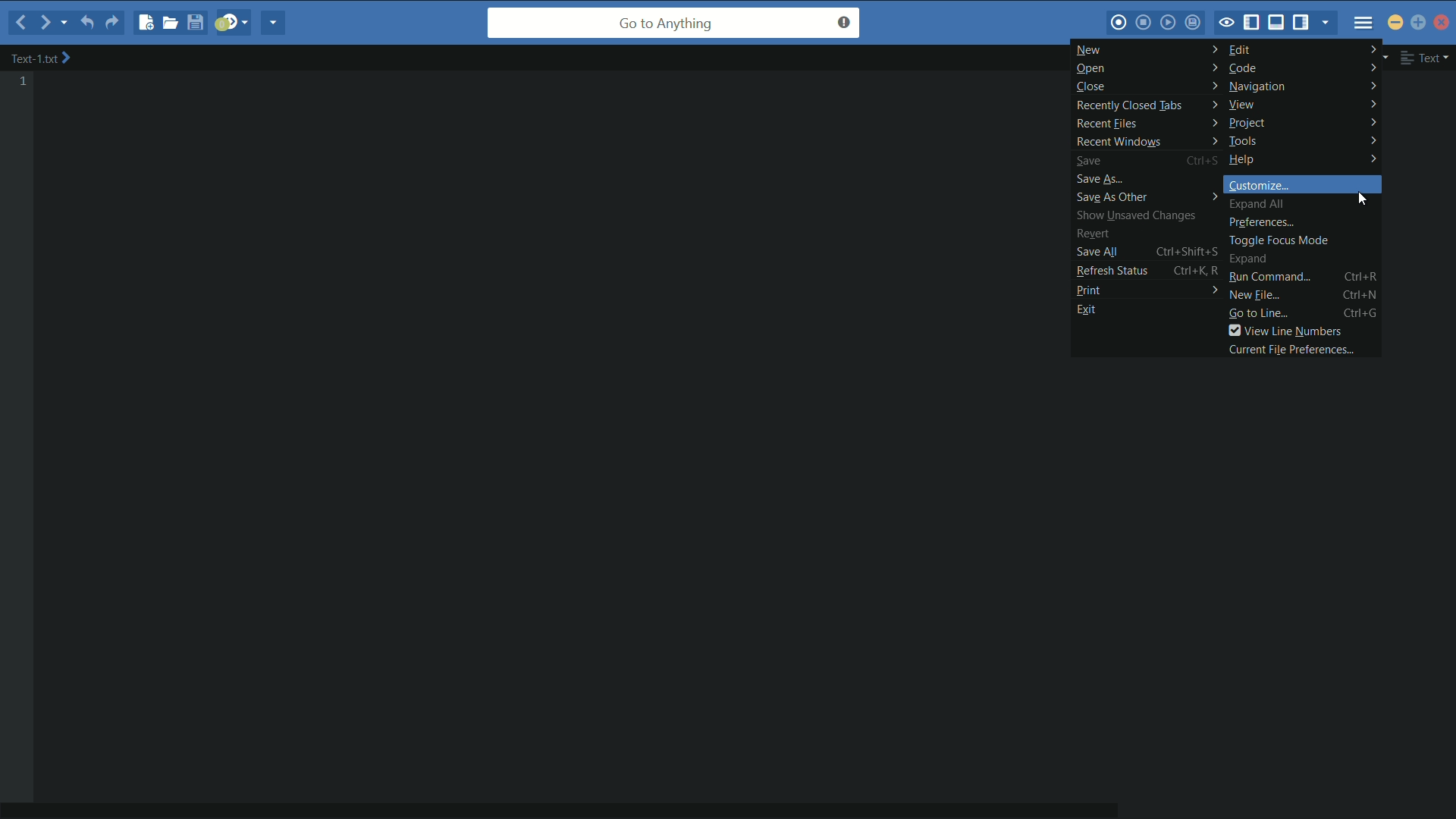 This screenshot has width=1456, height=819. I want to click on open file, so click(169, 24).